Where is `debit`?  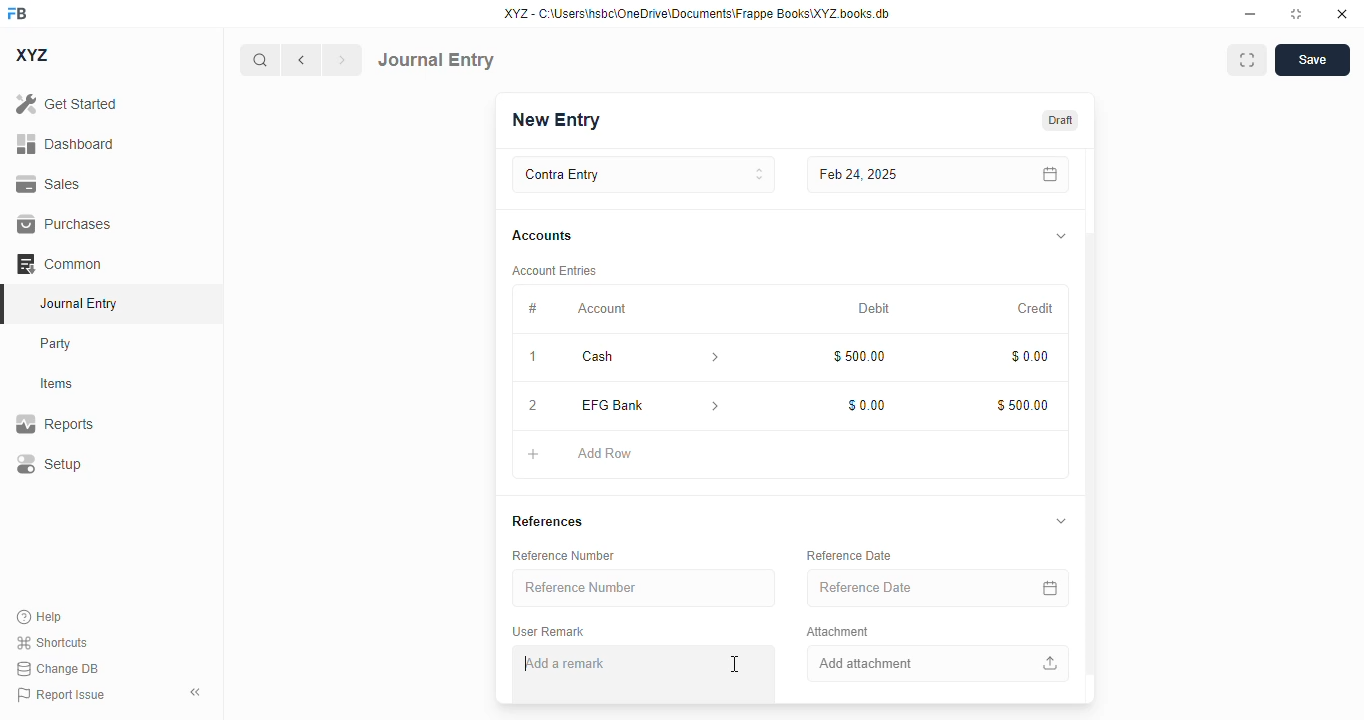 debit is located at coordinates (873, 309).